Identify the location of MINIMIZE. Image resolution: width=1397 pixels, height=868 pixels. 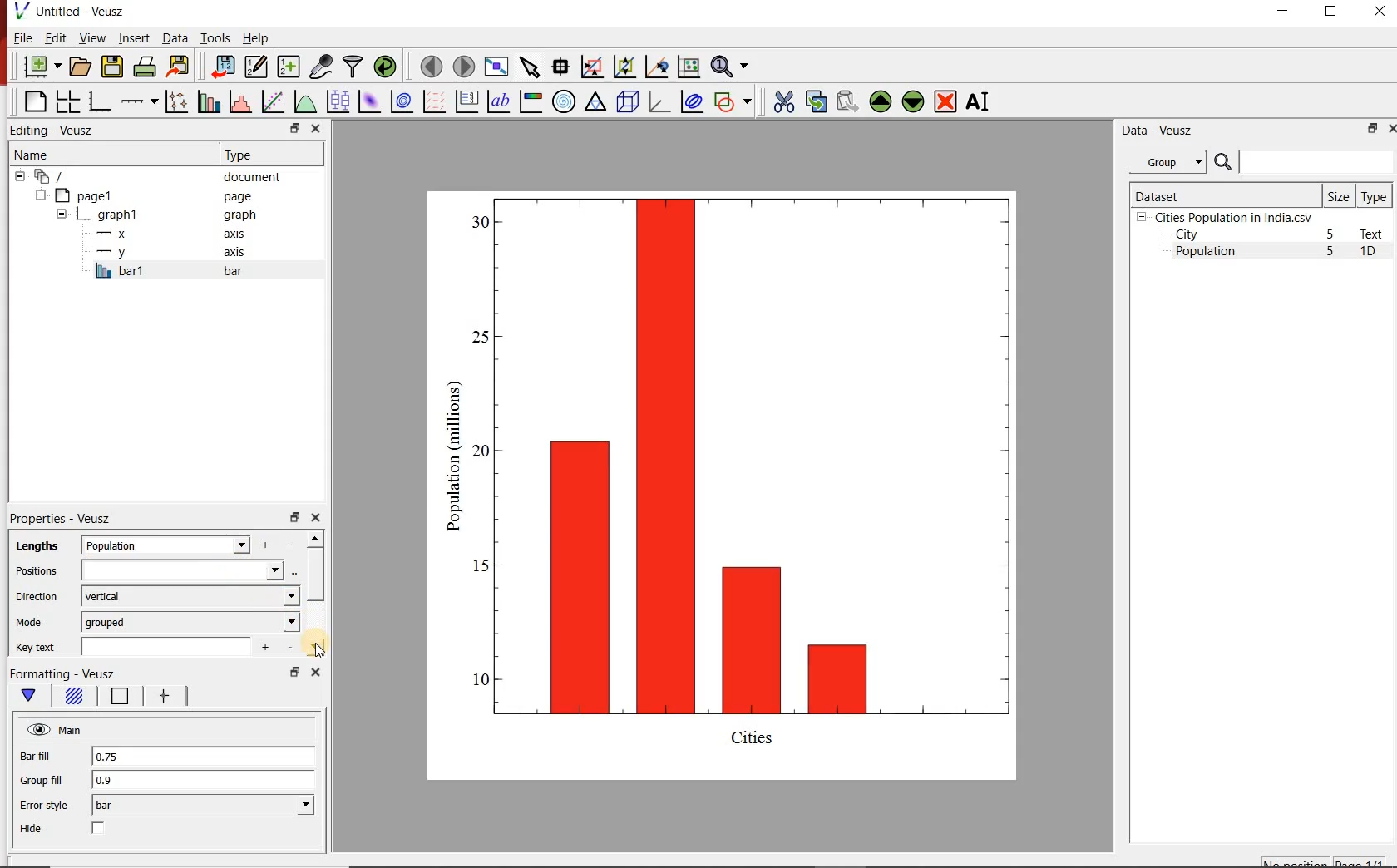
(1284, 11).